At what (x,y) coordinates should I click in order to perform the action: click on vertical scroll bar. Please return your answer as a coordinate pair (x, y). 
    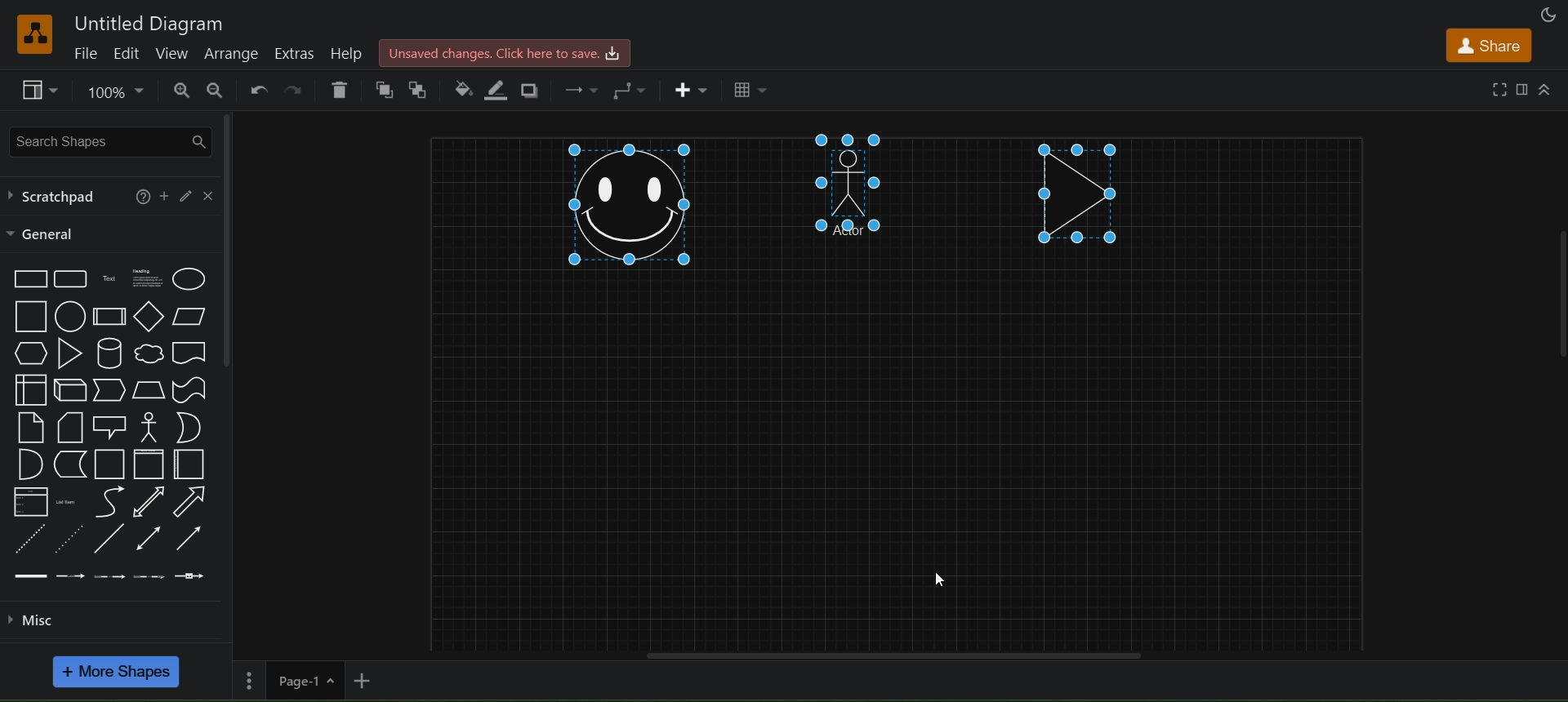
    Looking at the image, I should click on (231, 238).